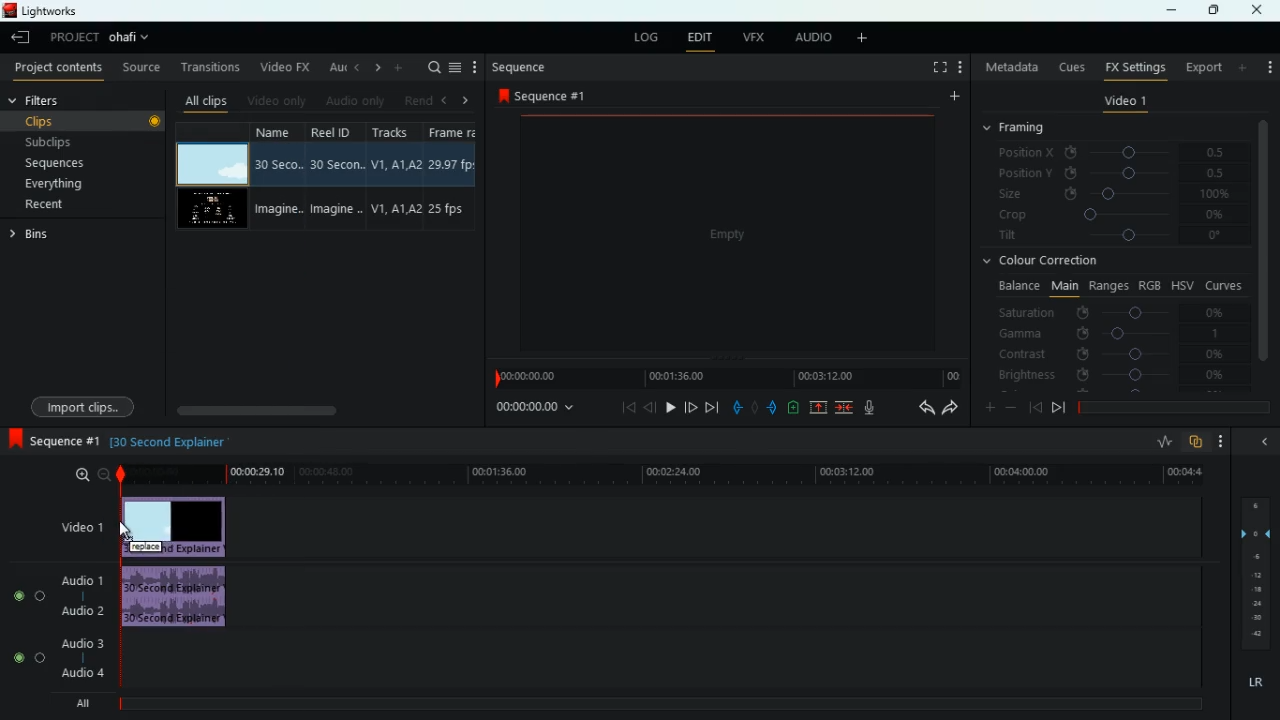  I want to click on timeline, so click(651, 704).